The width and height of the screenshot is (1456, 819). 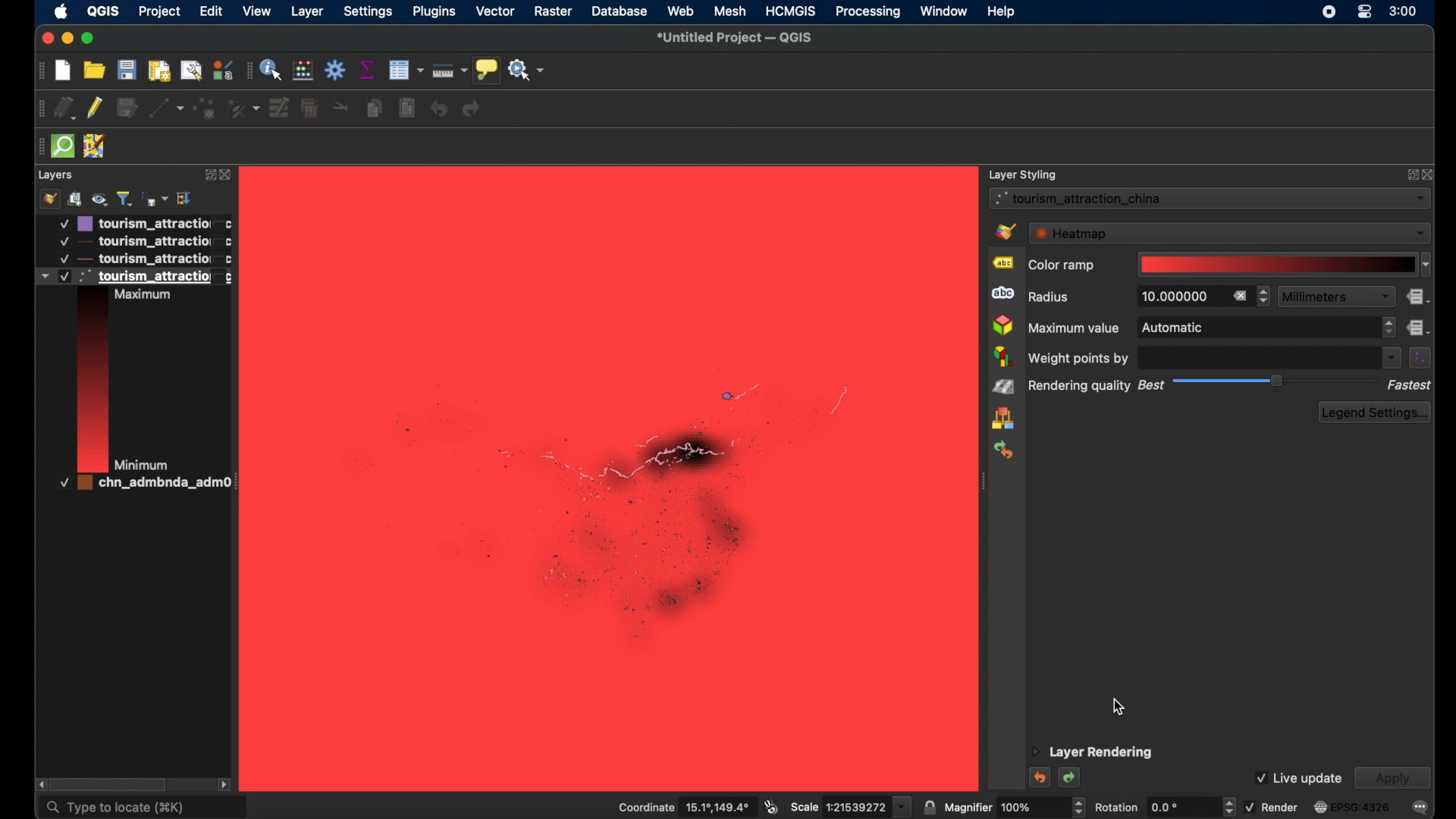 What do you see at coordinates (407, 70) in the screenshot?
I see `open attribute table` at bounding box center [407, 70].